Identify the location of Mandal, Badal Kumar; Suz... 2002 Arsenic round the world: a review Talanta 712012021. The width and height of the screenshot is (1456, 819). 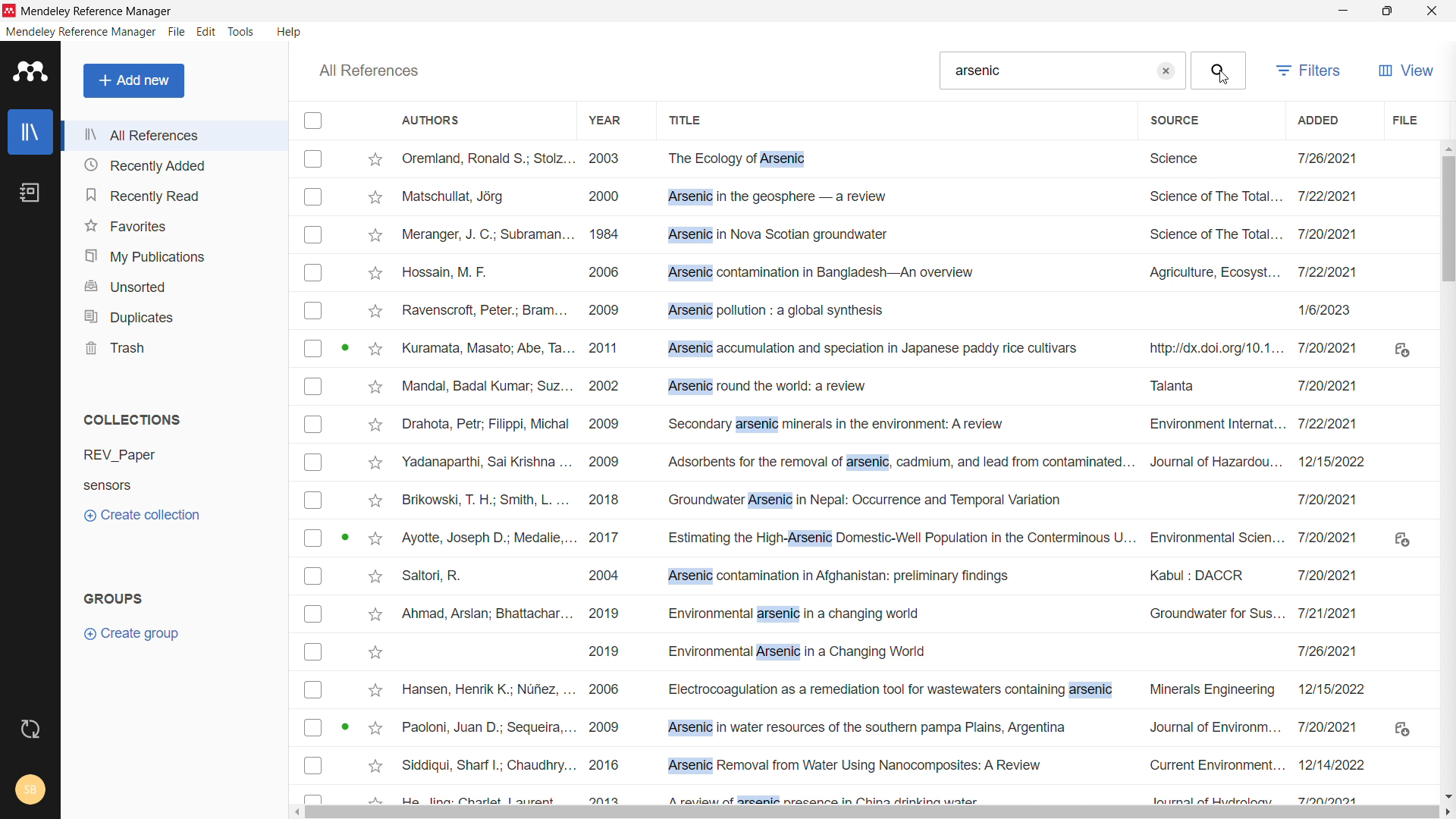
(880, 385).